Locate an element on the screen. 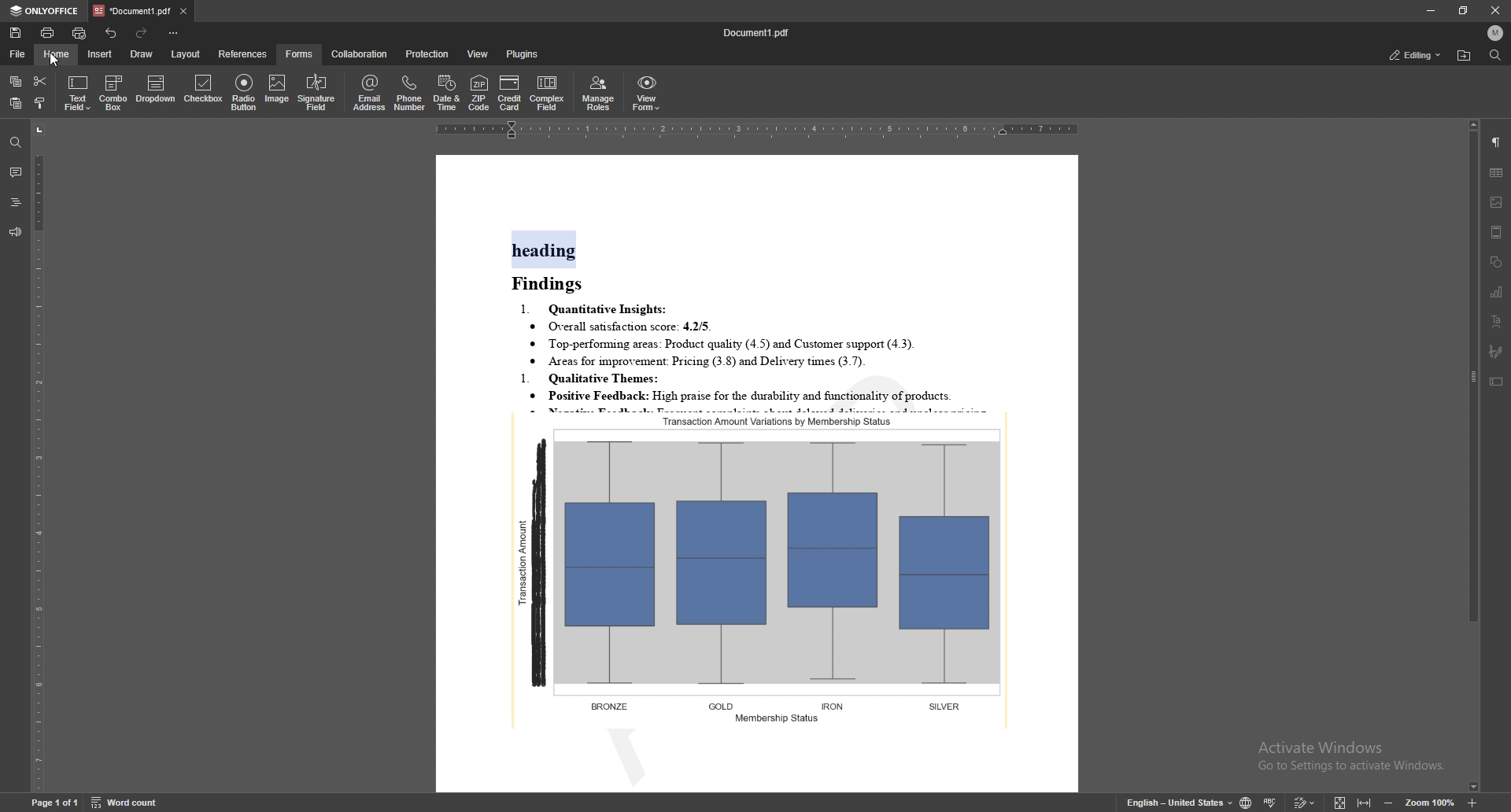 The height and width of the screenshot is (812, 1511). file is located at coordinates (18, 54).